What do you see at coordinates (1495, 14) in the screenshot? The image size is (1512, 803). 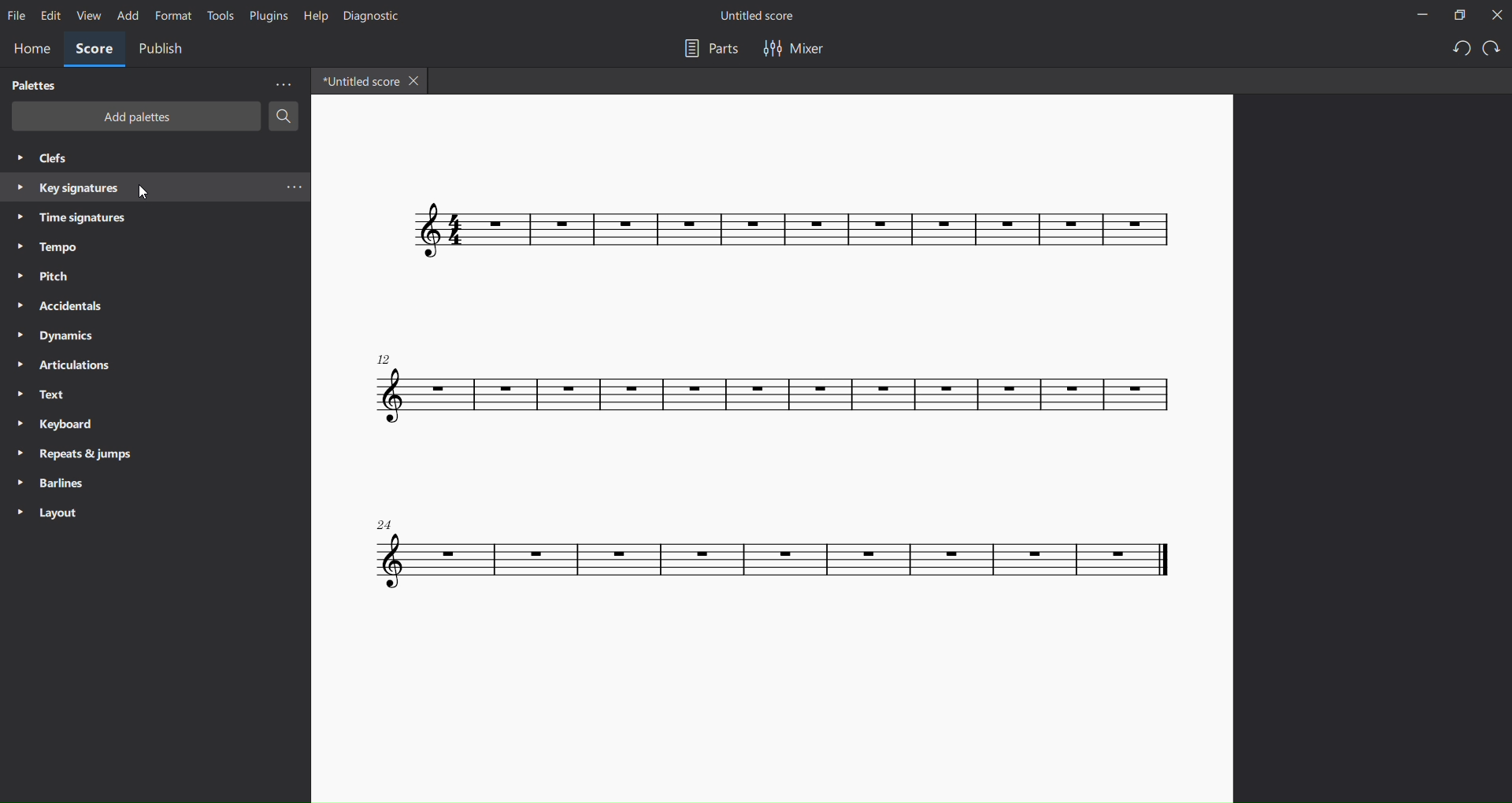 I see `close` at bounding box center [1495, 14].